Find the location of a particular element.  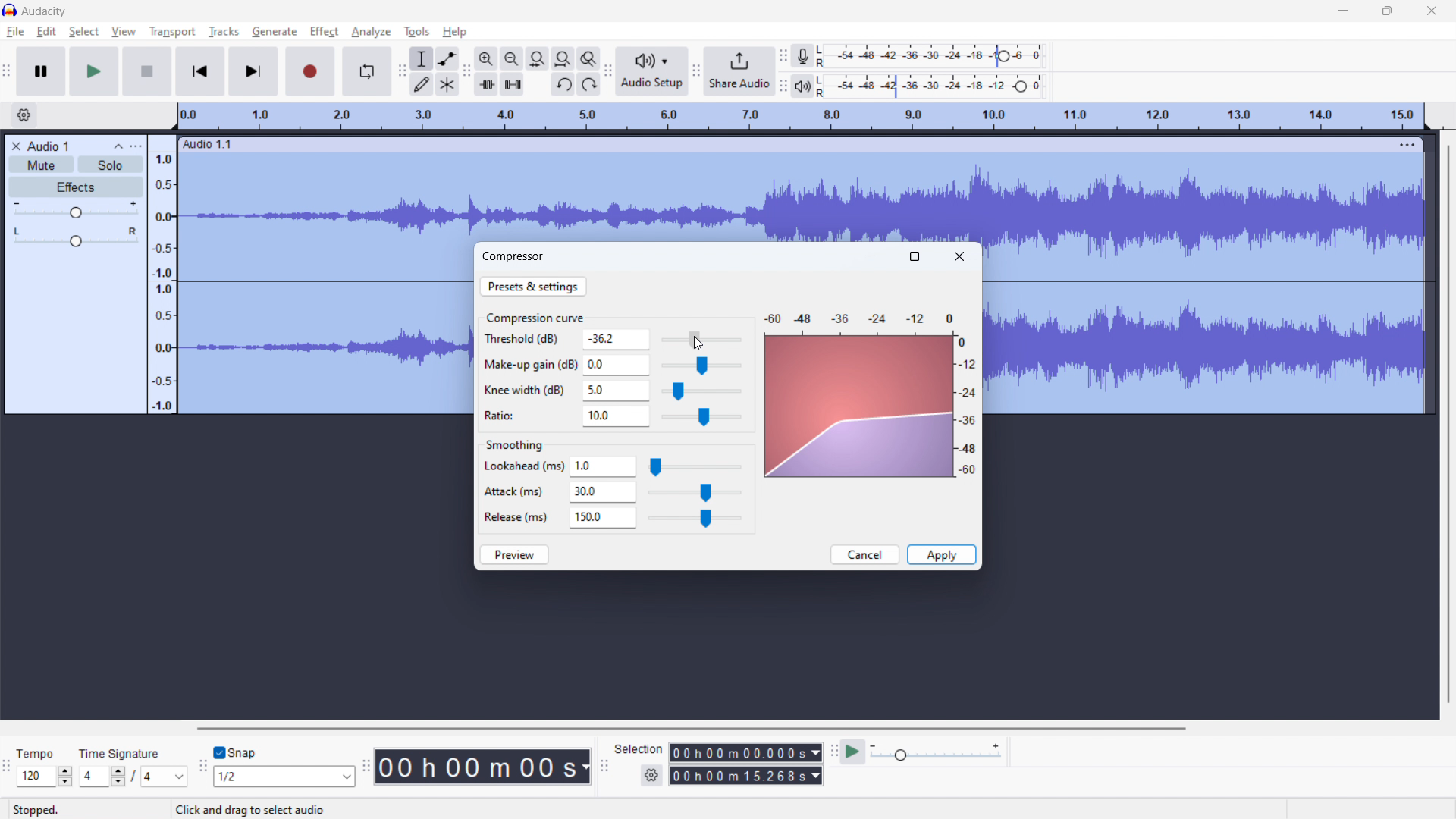

Release (ms) is located at coordinates (516, 516).